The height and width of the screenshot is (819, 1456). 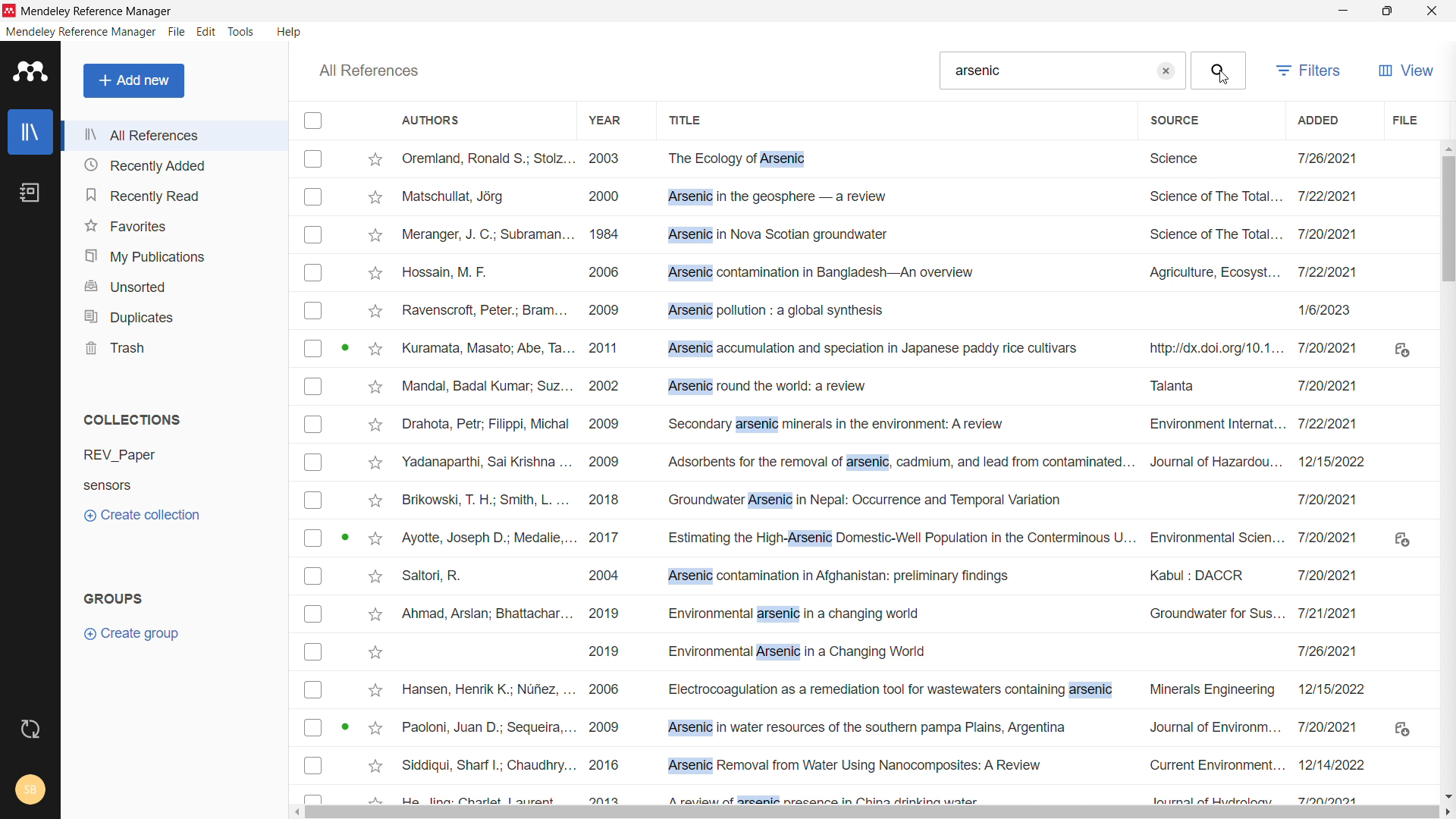 I want to click on file, so click(x=1420, y=120).